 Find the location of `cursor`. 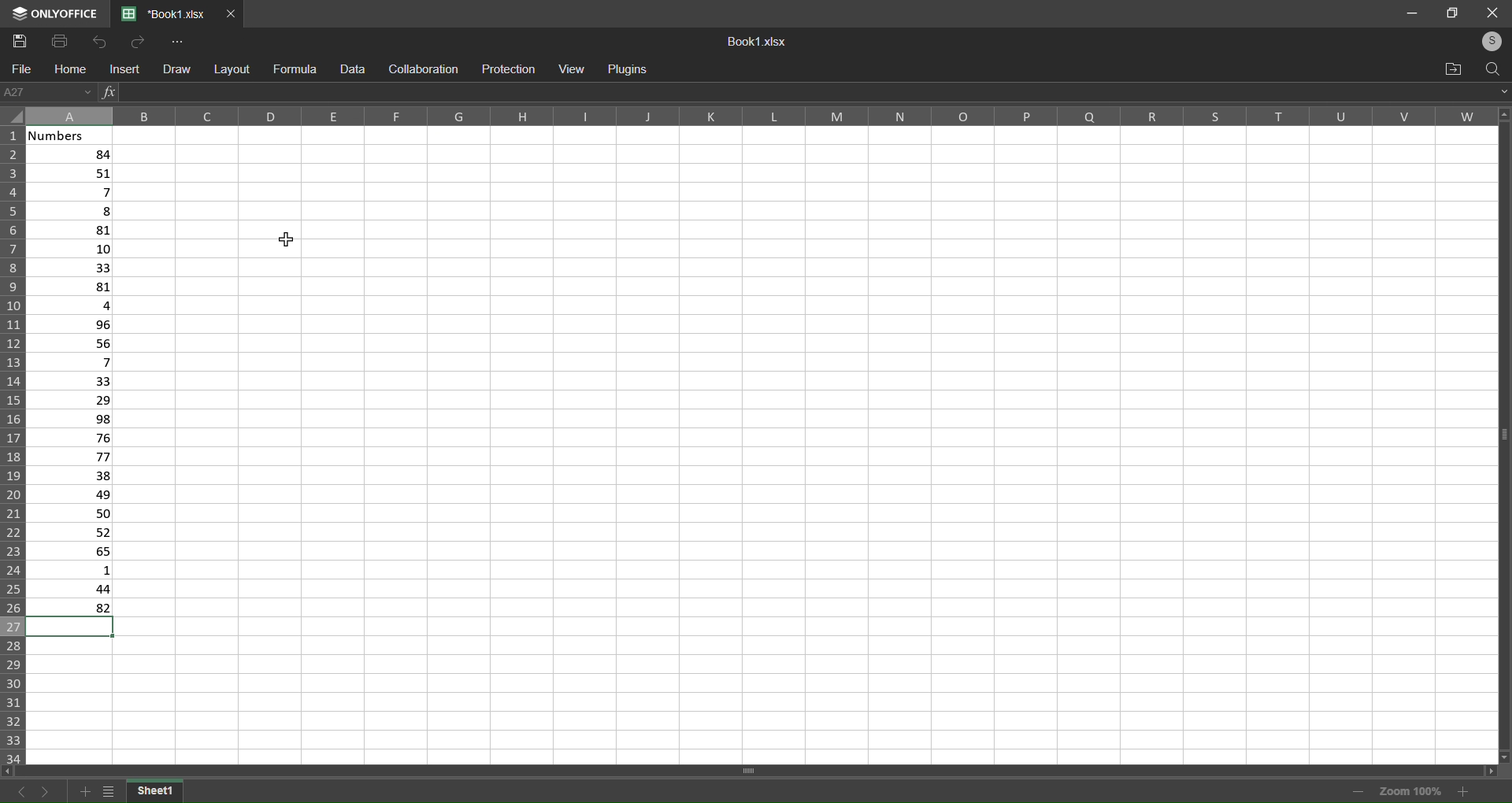

cursor is located at coordinates (282, 242).